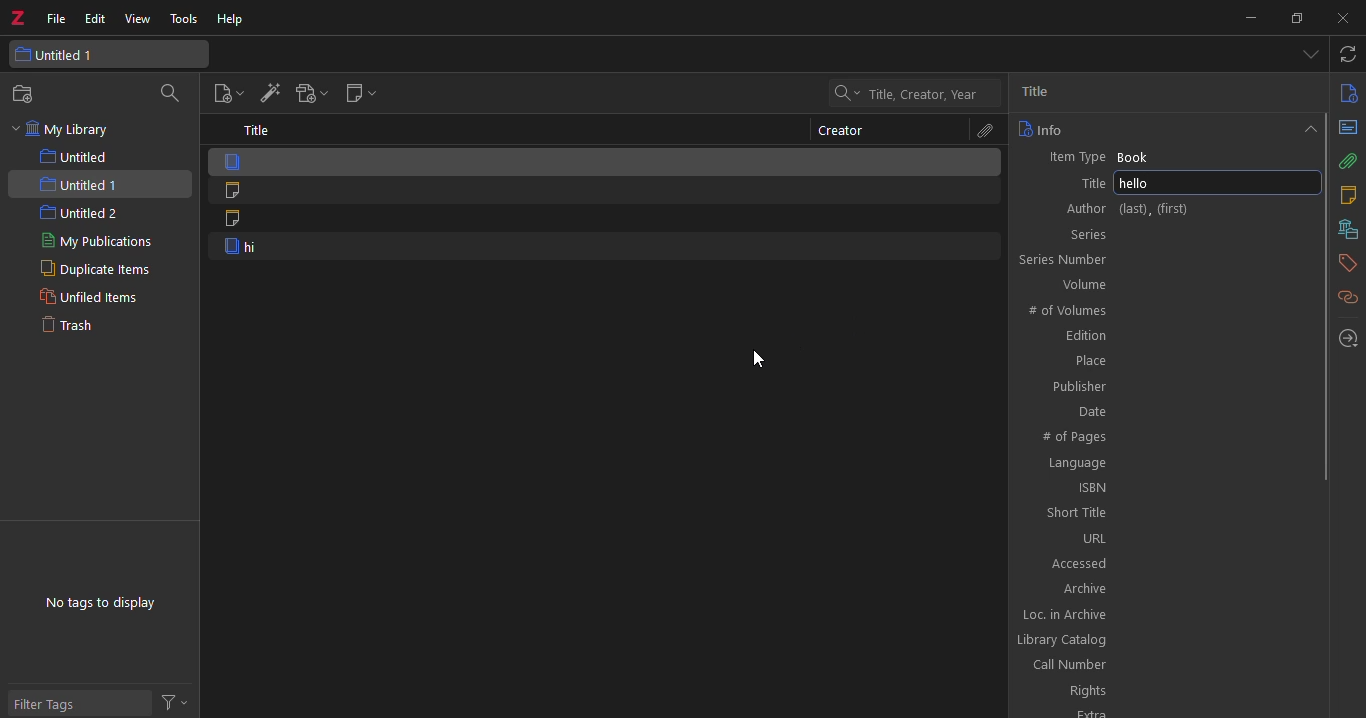 This screenshot has height=718, width=1366. Describe the element at coordinates (1348, 92) in the screenshot. I see `info` at that location.